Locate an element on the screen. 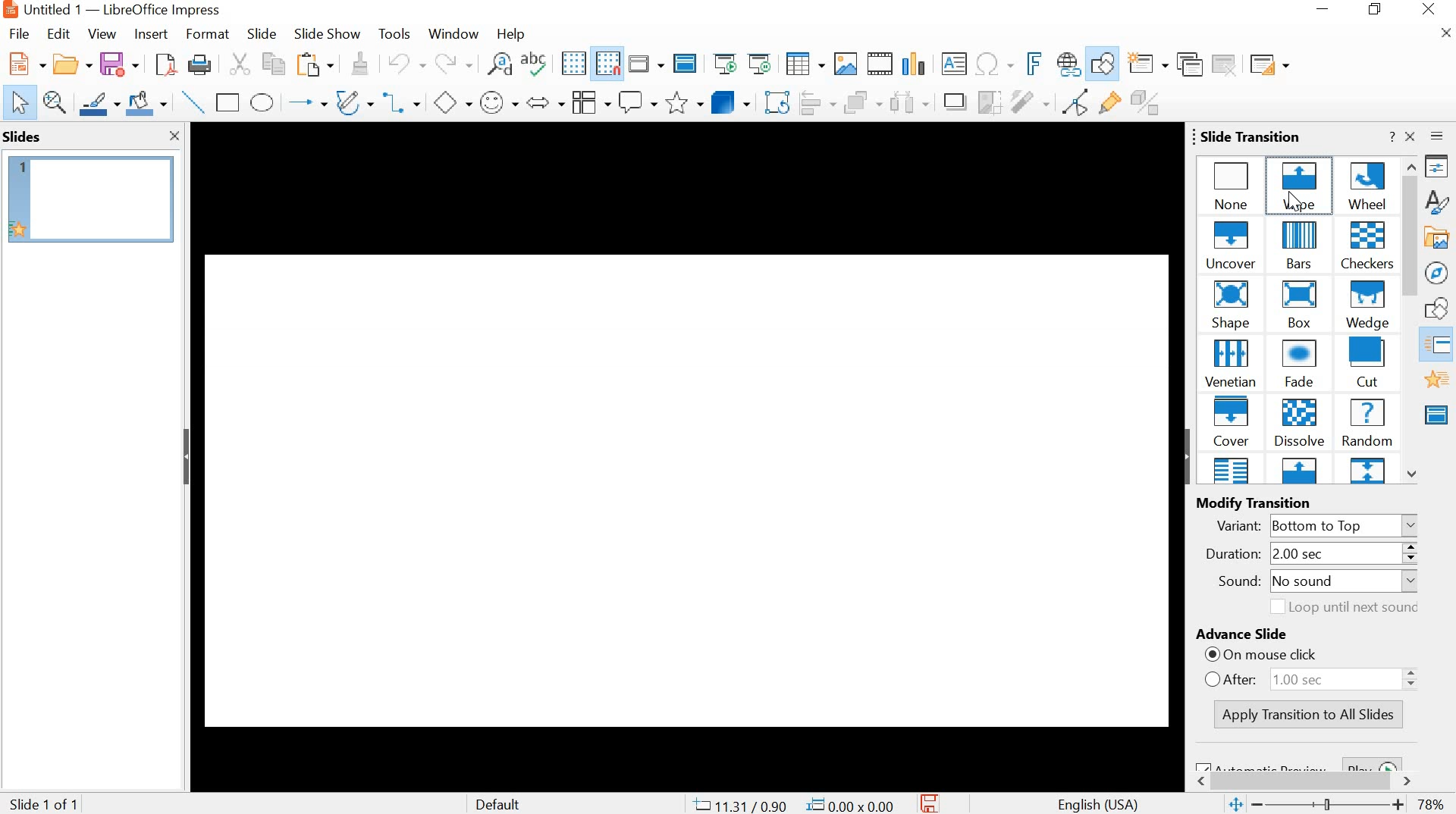  DEFAULT is located at coordinates (510, 803).